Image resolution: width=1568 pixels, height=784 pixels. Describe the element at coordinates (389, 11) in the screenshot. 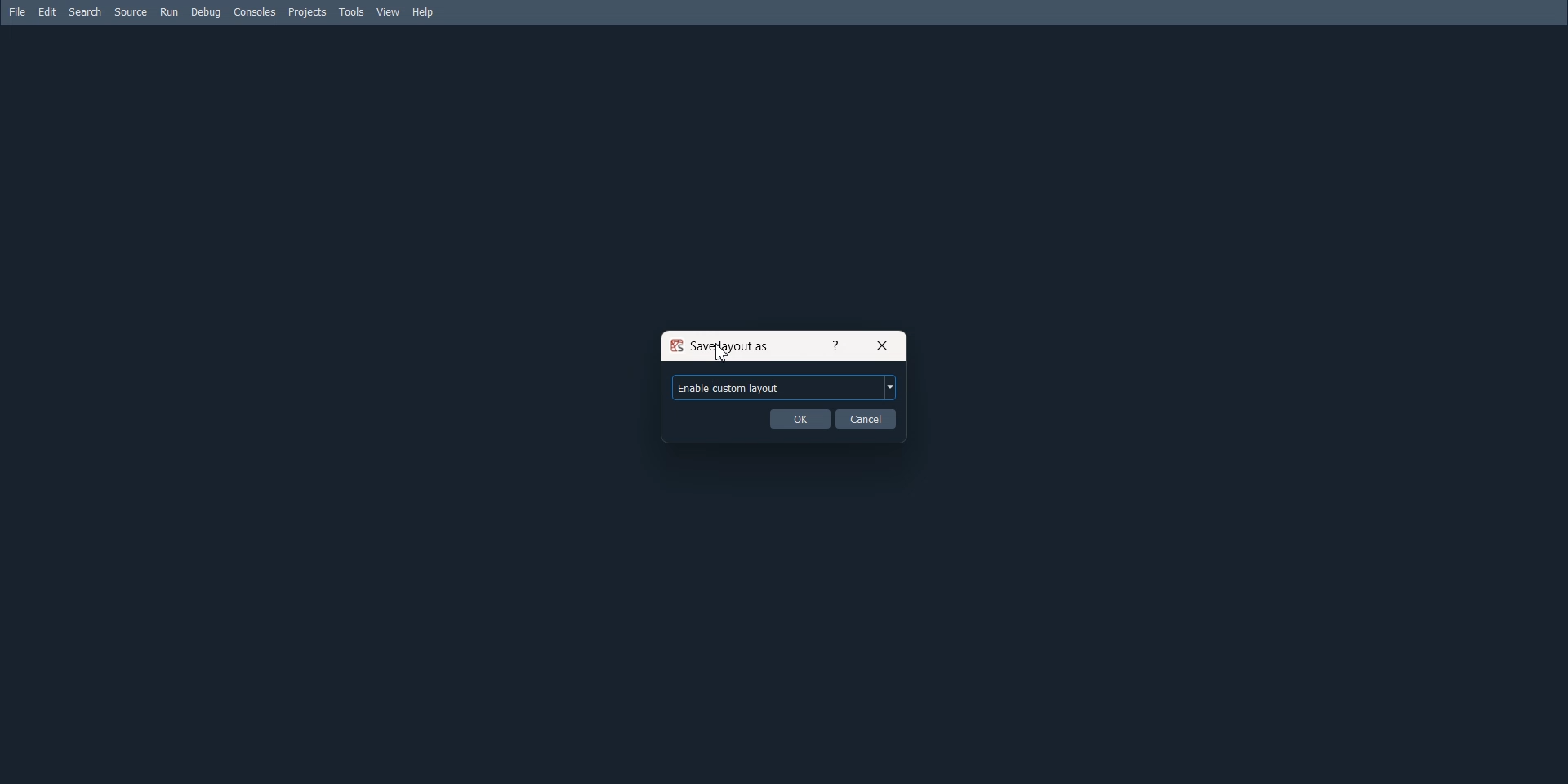

I see `View` at that location.